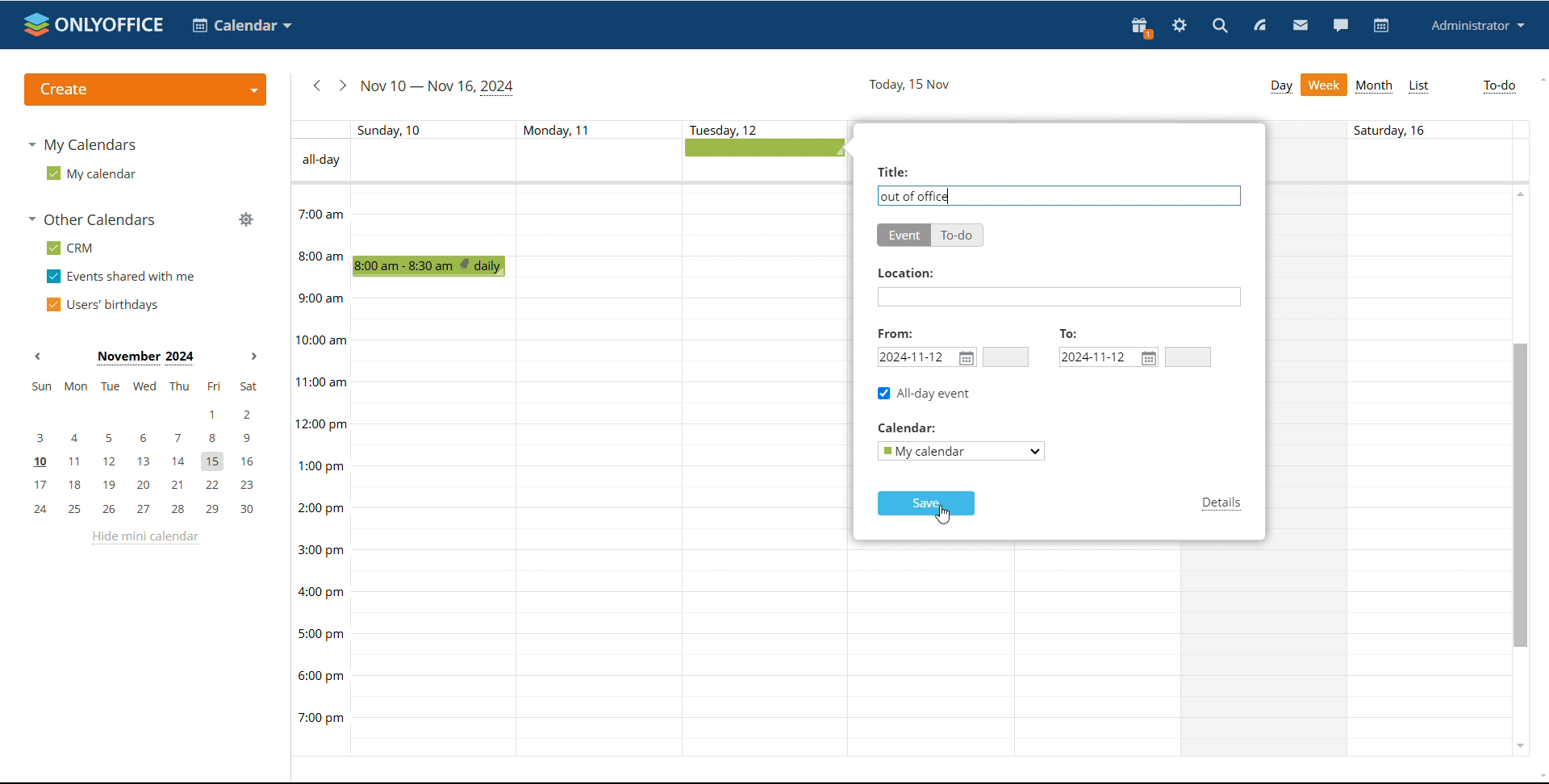 This screenshot has height=784, width=1549. Describe the element at coordinates (94, 26) in the screenshot. I see `logo` at that location.